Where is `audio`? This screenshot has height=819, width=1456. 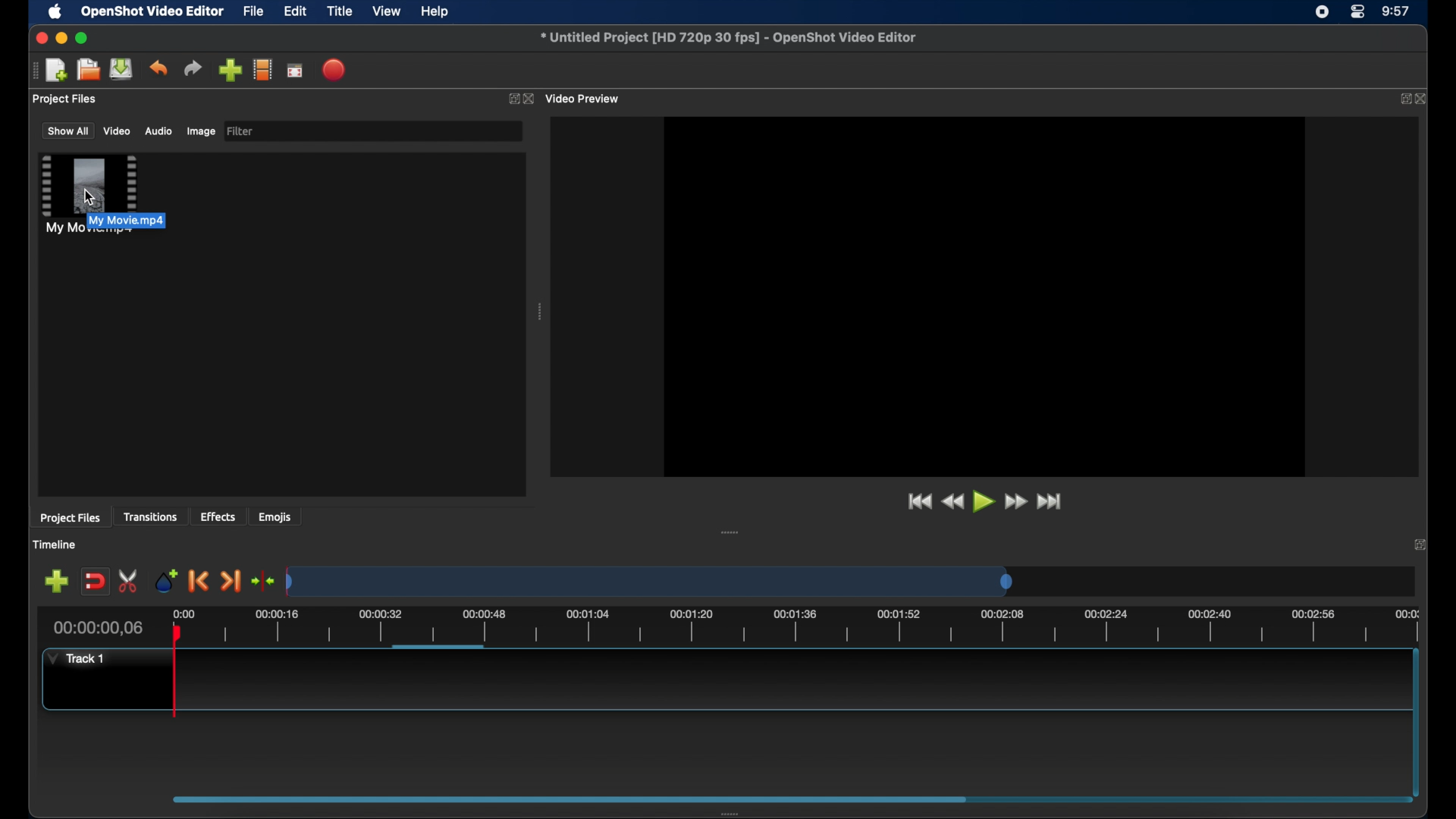 audio is located at coordinates (158, 131).